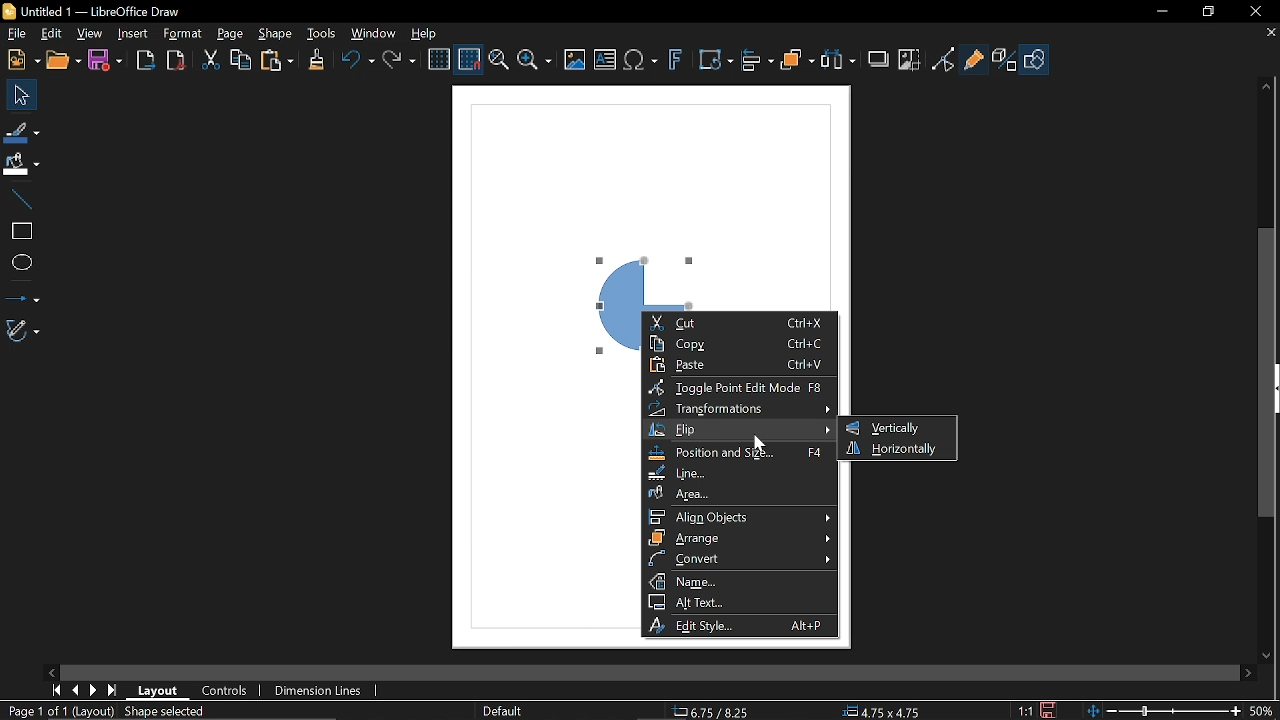 The height and width of the screenshot is (720, 1280). Describe the element at coordinates (241, 59) in the screenshot. I see `Copy` at that location.